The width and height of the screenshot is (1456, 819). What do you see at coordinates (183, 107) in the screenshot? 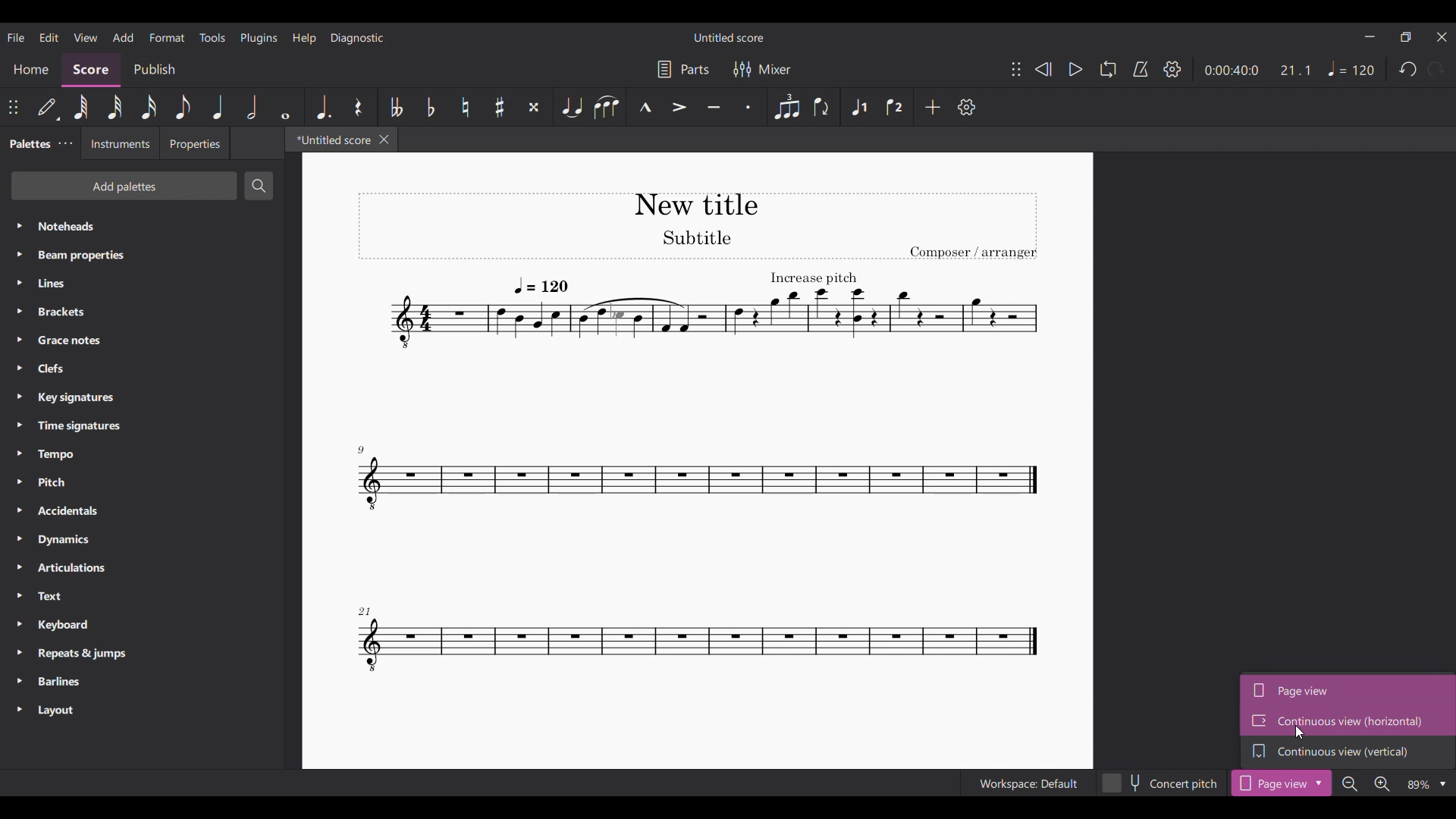
I see `8th note` at bounding box center [183, 107].